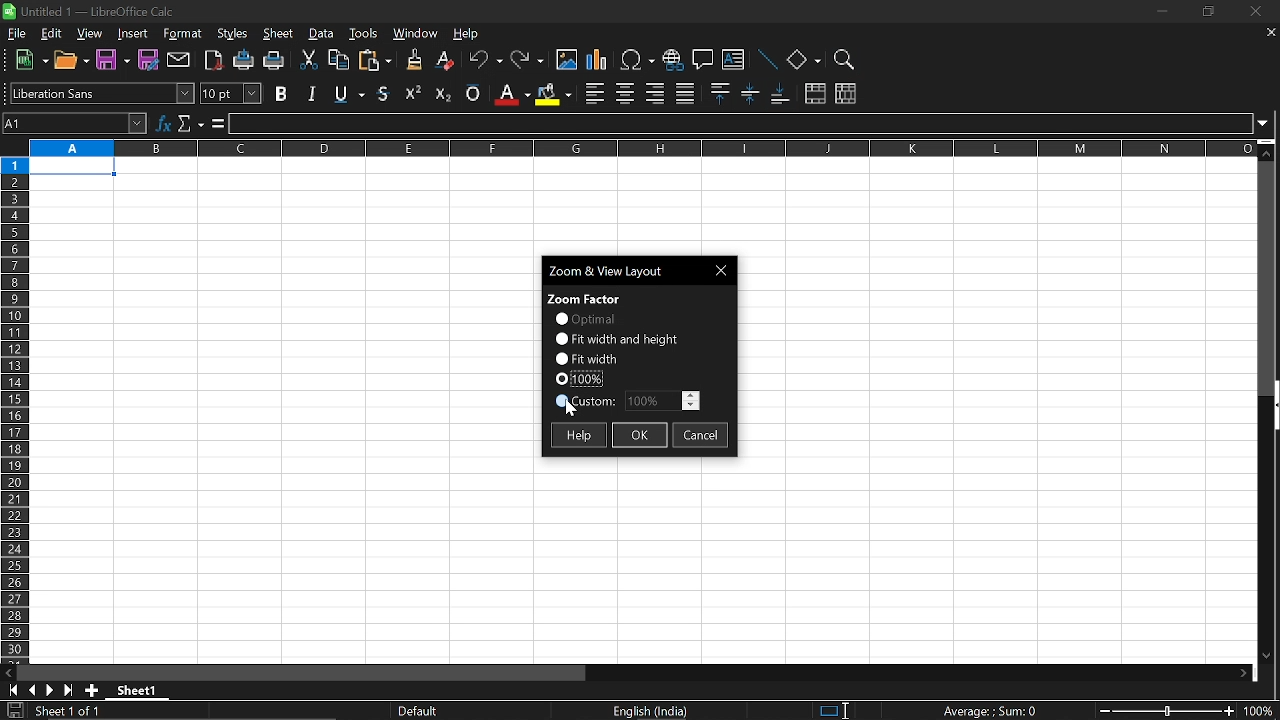  What do you see at coordinates (655, 93) in the screenshot?
I see `align right` at bounding box center [655, 93].